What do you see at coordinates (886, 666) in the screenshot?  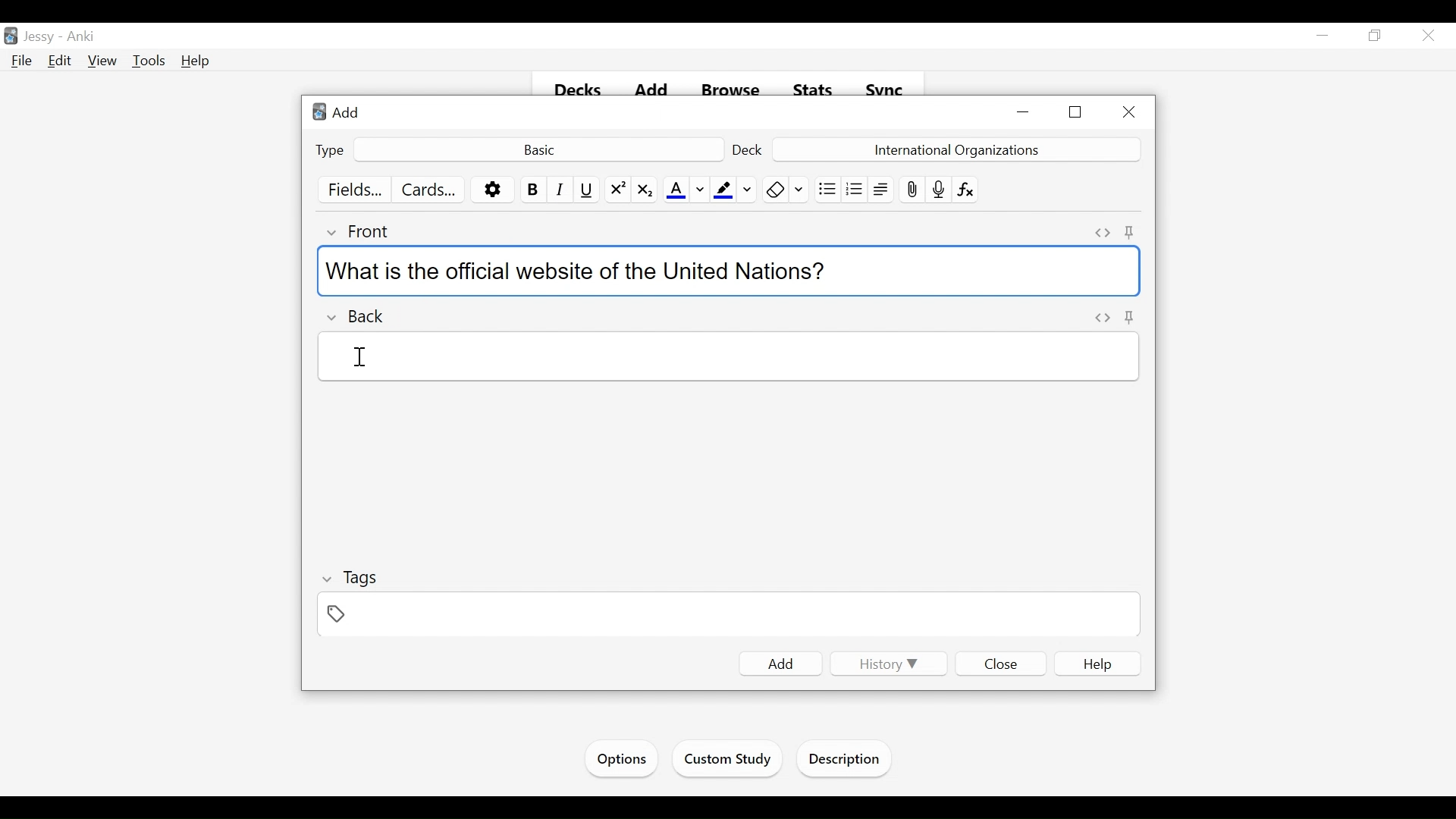 I see `History` at bounding box center [886, 666].